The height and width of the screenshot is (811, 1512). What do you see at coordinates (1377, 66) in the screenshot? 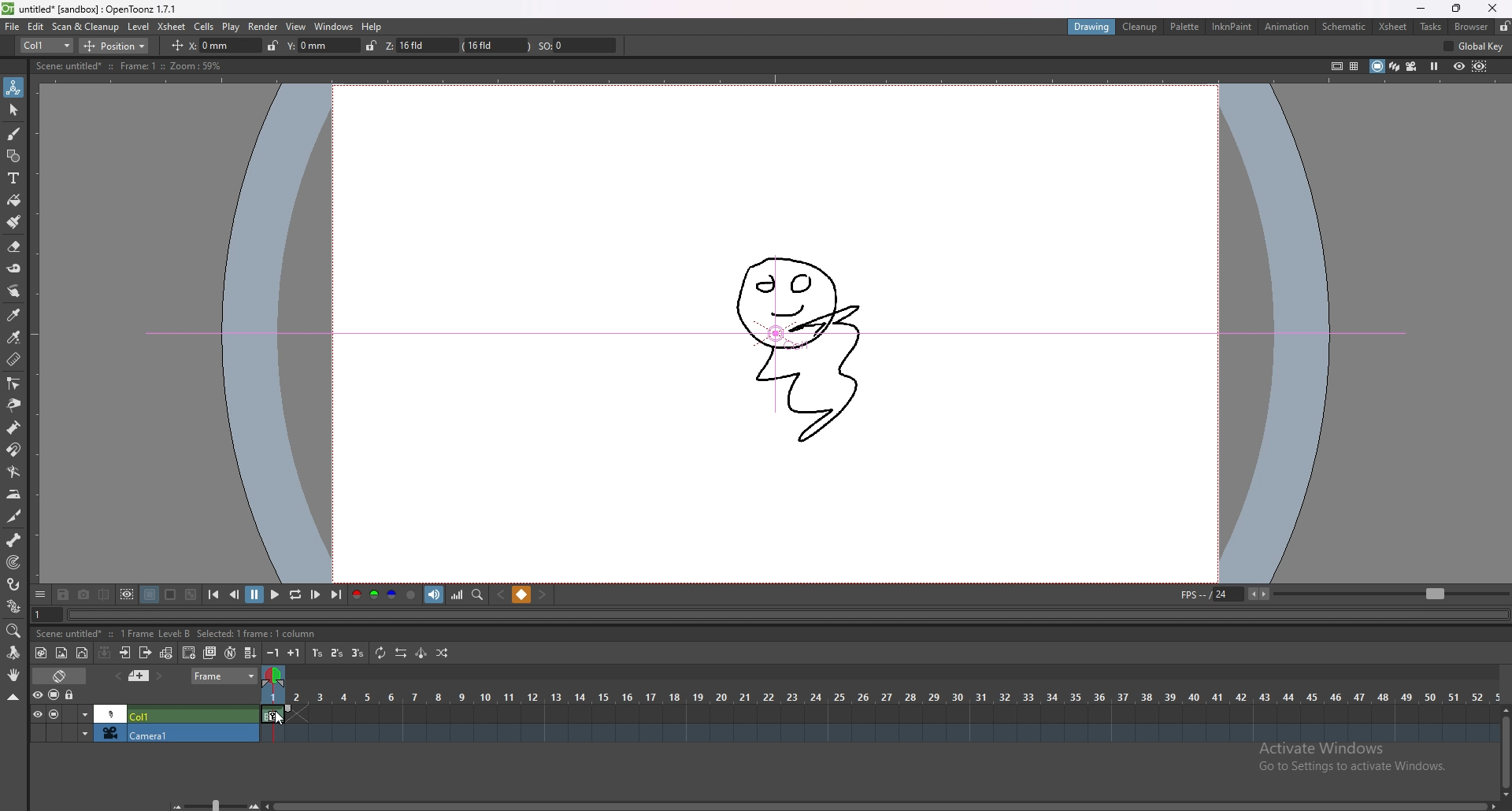
I see `camera stand view` at bounding box center [1377, 66].